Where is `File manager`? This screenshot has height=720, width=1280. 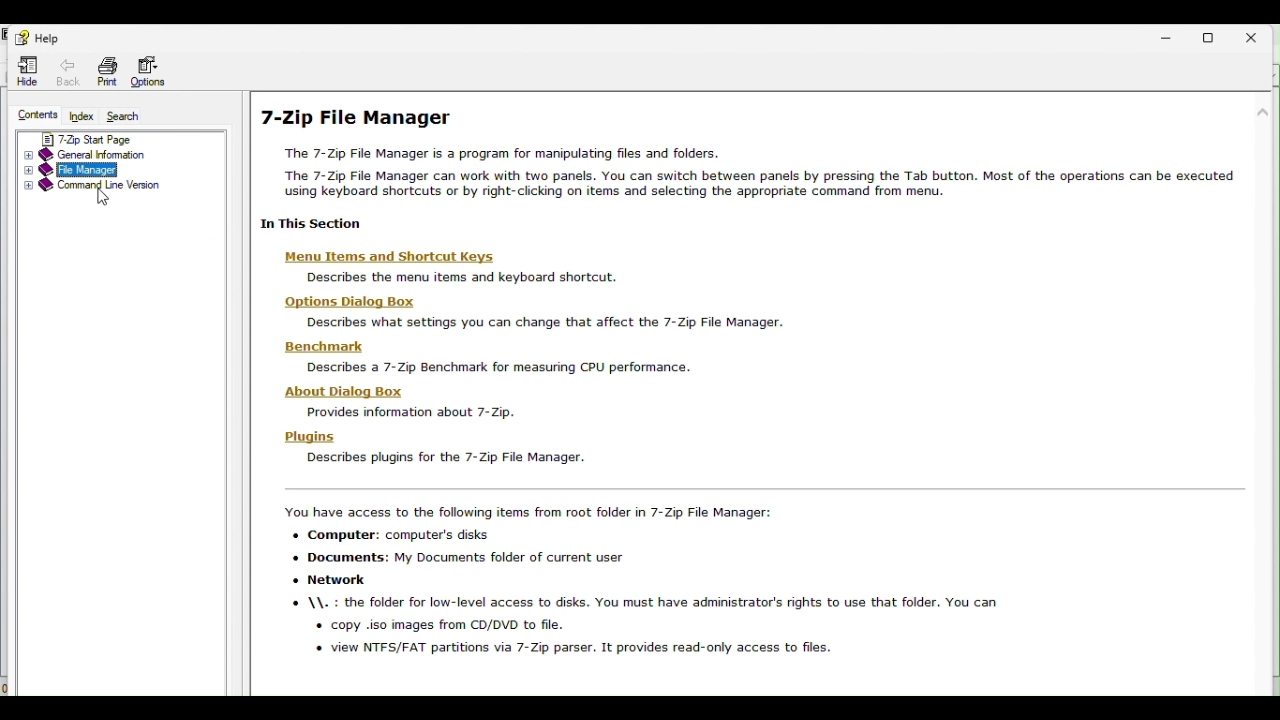 File manager is located at coordinates (100, 170).